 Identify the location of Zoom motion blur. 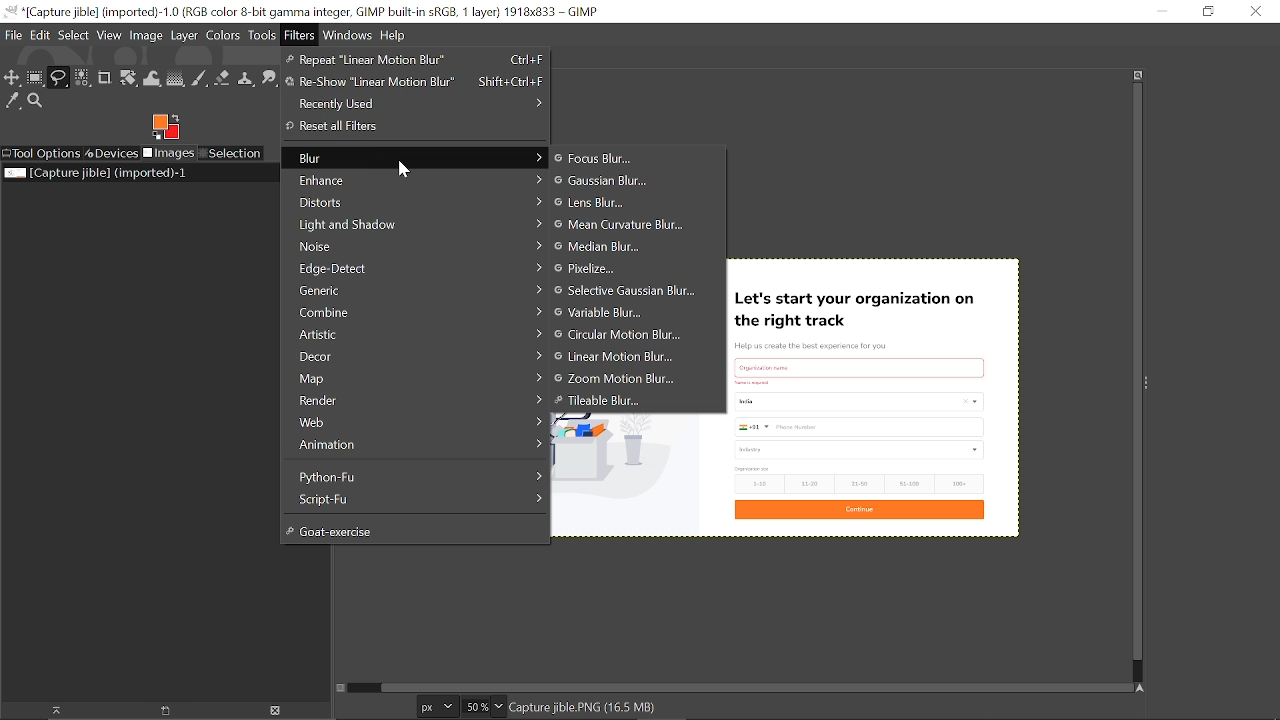
(614, 378).